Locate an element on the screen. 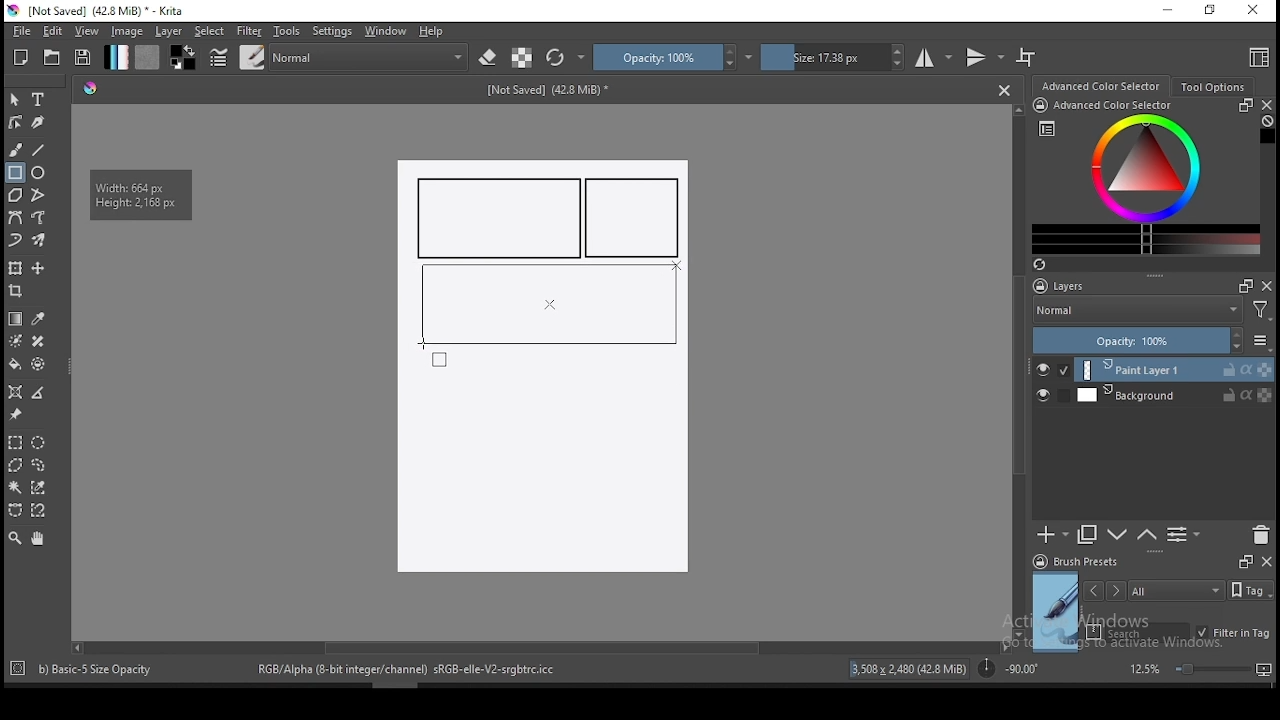 The image size is (1280, 720). Frames is located at coordinates (1240, 285).